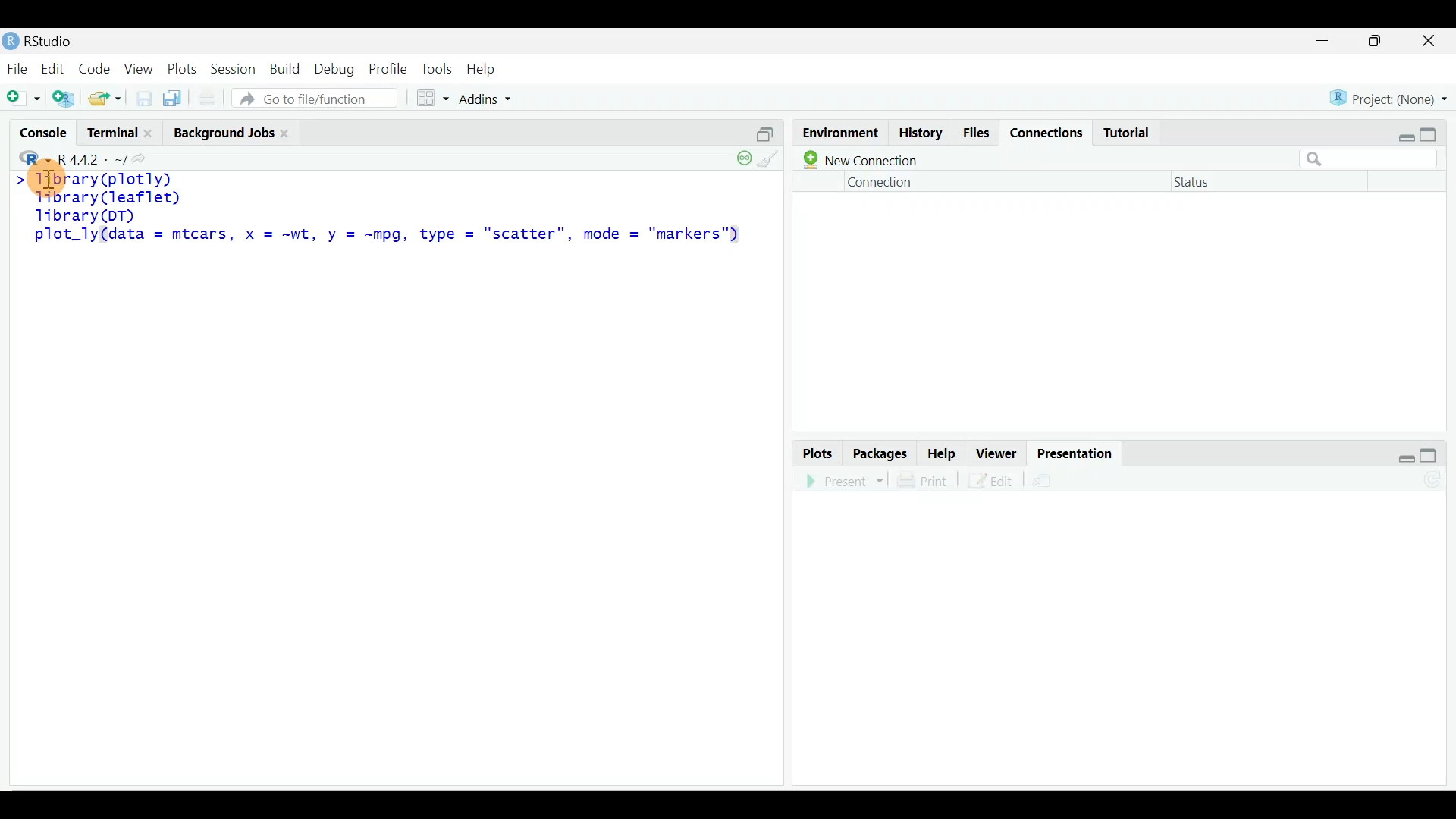  What do you see at coordinates (81, 217) in the screenshot?
I see `library(DT)` at bounding box center [81, 217].